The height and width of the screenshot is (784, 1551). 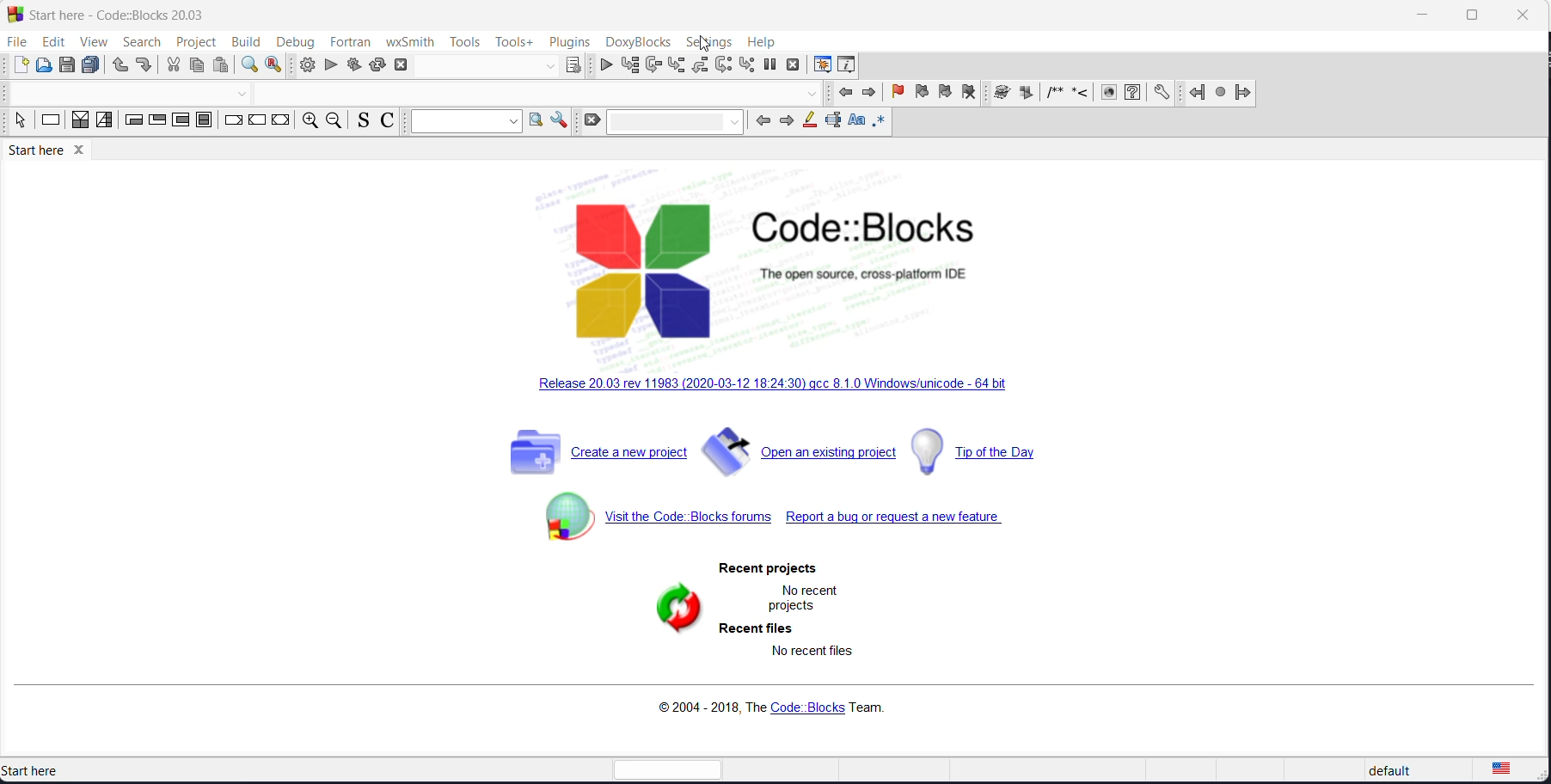 I want to click on exit condition loop, so click(x=156, y=123).